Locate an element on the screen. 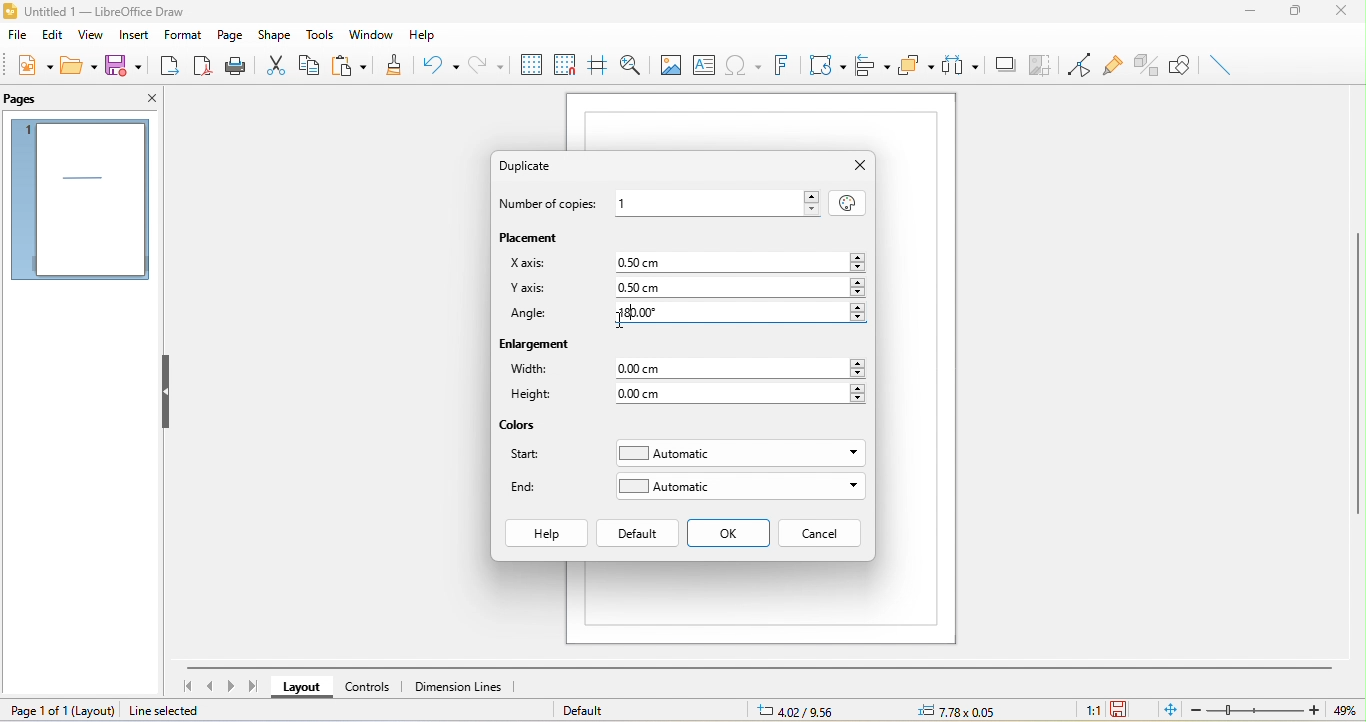 This screenshot has width=1366, height=722. insert line is located at coordinates (1221, 65).